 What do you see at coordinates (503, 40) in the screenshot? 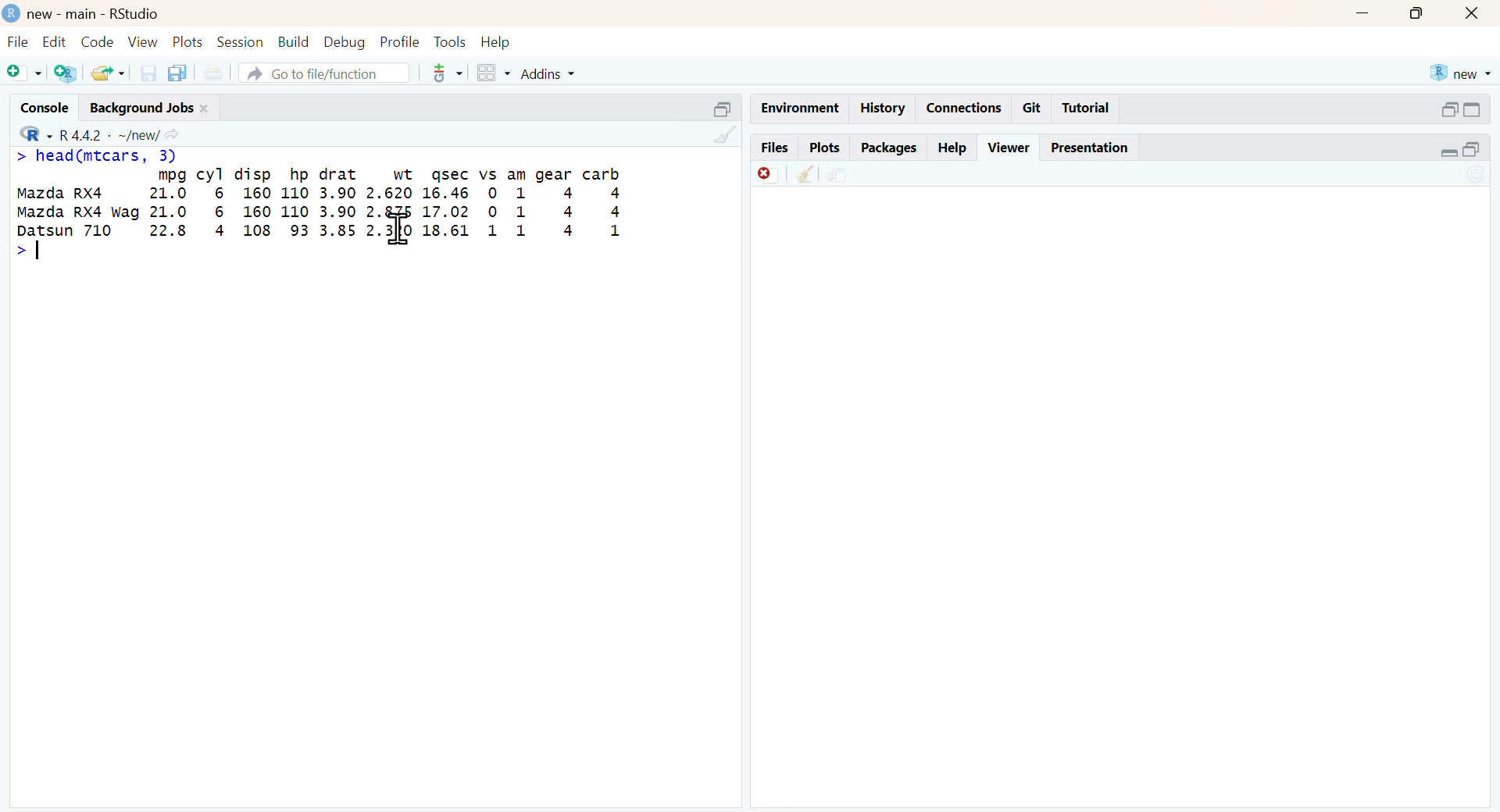
I see `Help` at bounding box center [503, 40].